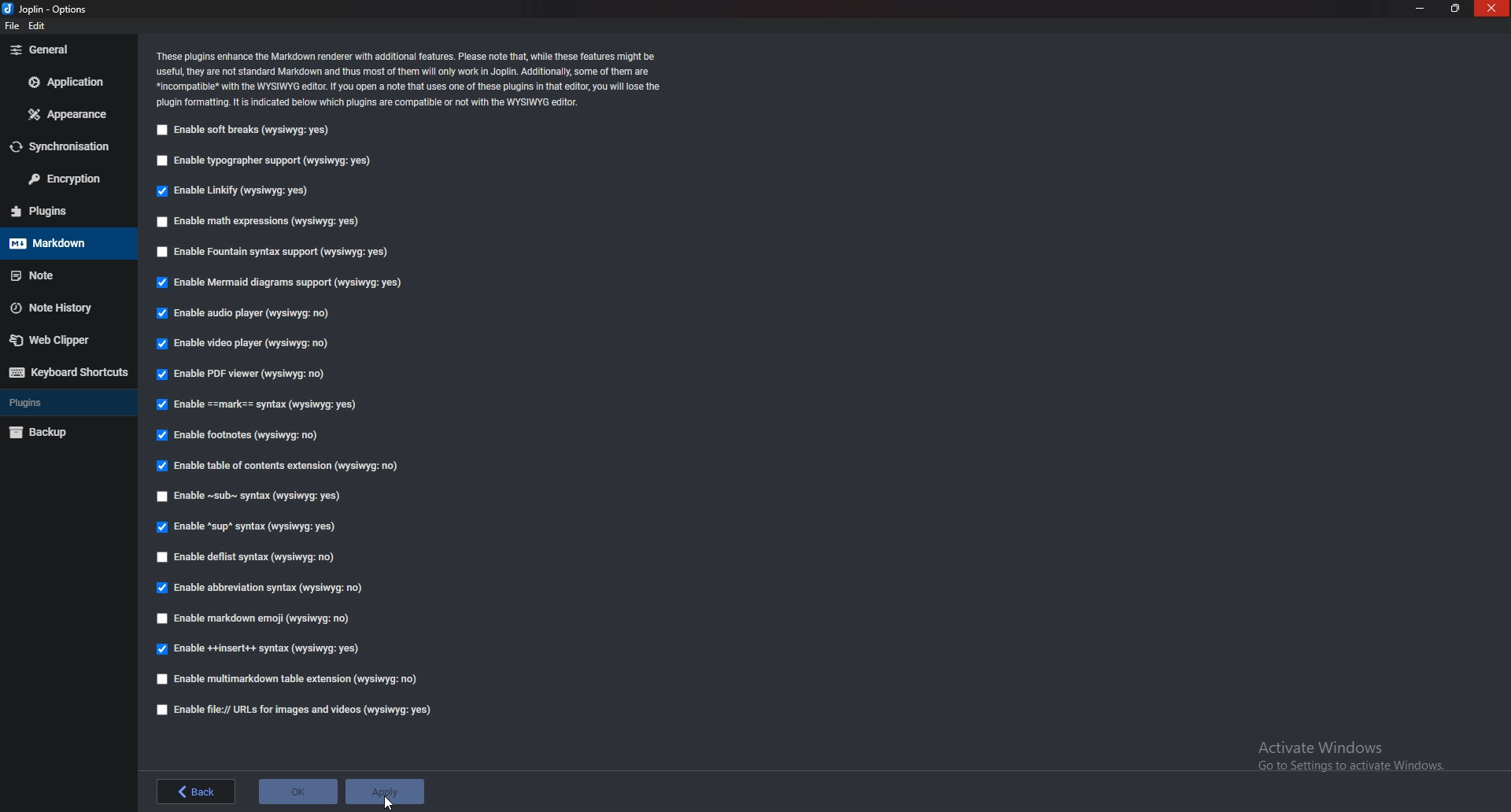 The image size is (1511, 812). Describe the element at coordinates (258, 650) in the screenshot. I see `Enable insert syntax` at that location.